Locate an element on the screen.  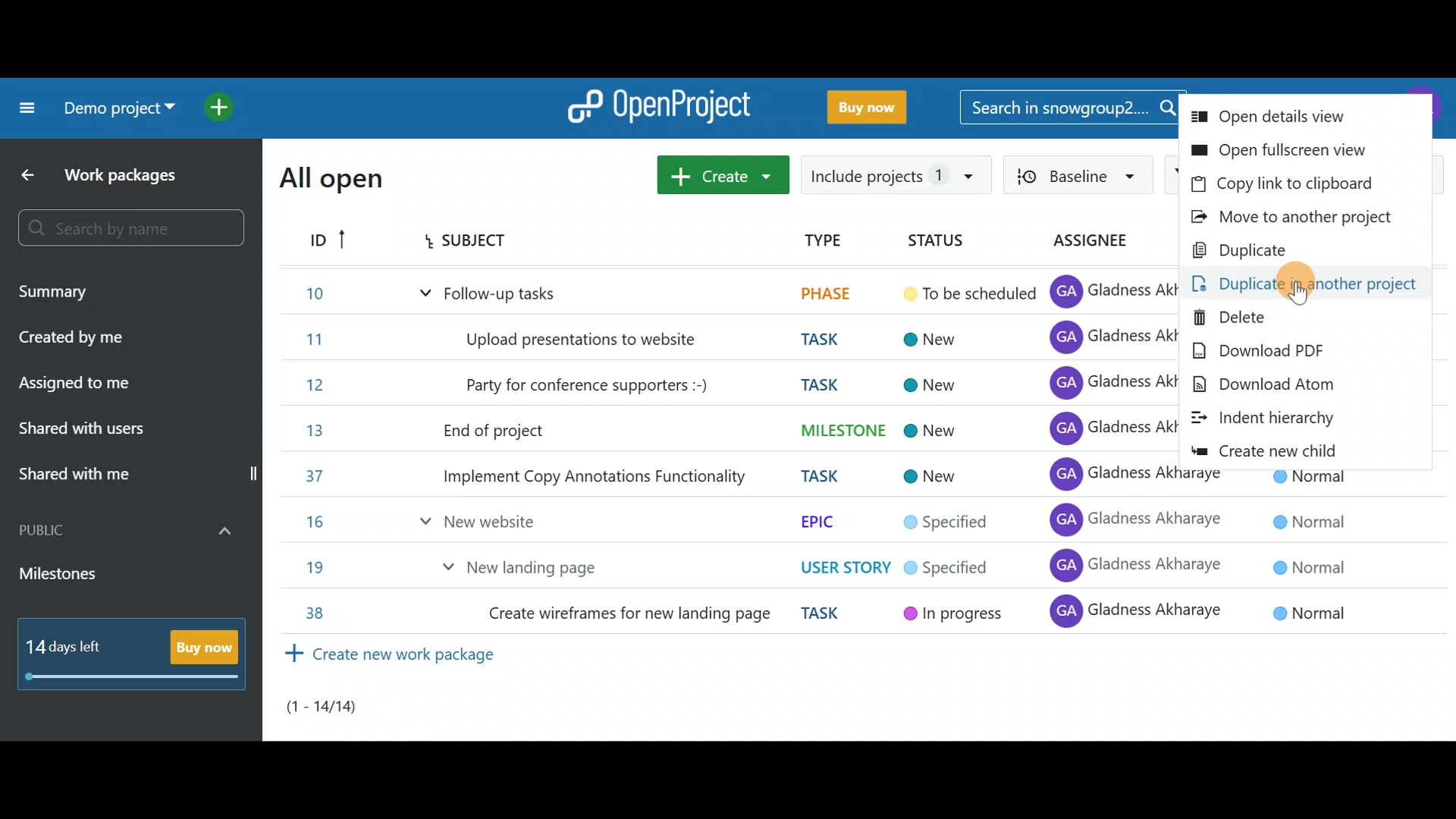
Open details view is located at coordinates (1309, 115).